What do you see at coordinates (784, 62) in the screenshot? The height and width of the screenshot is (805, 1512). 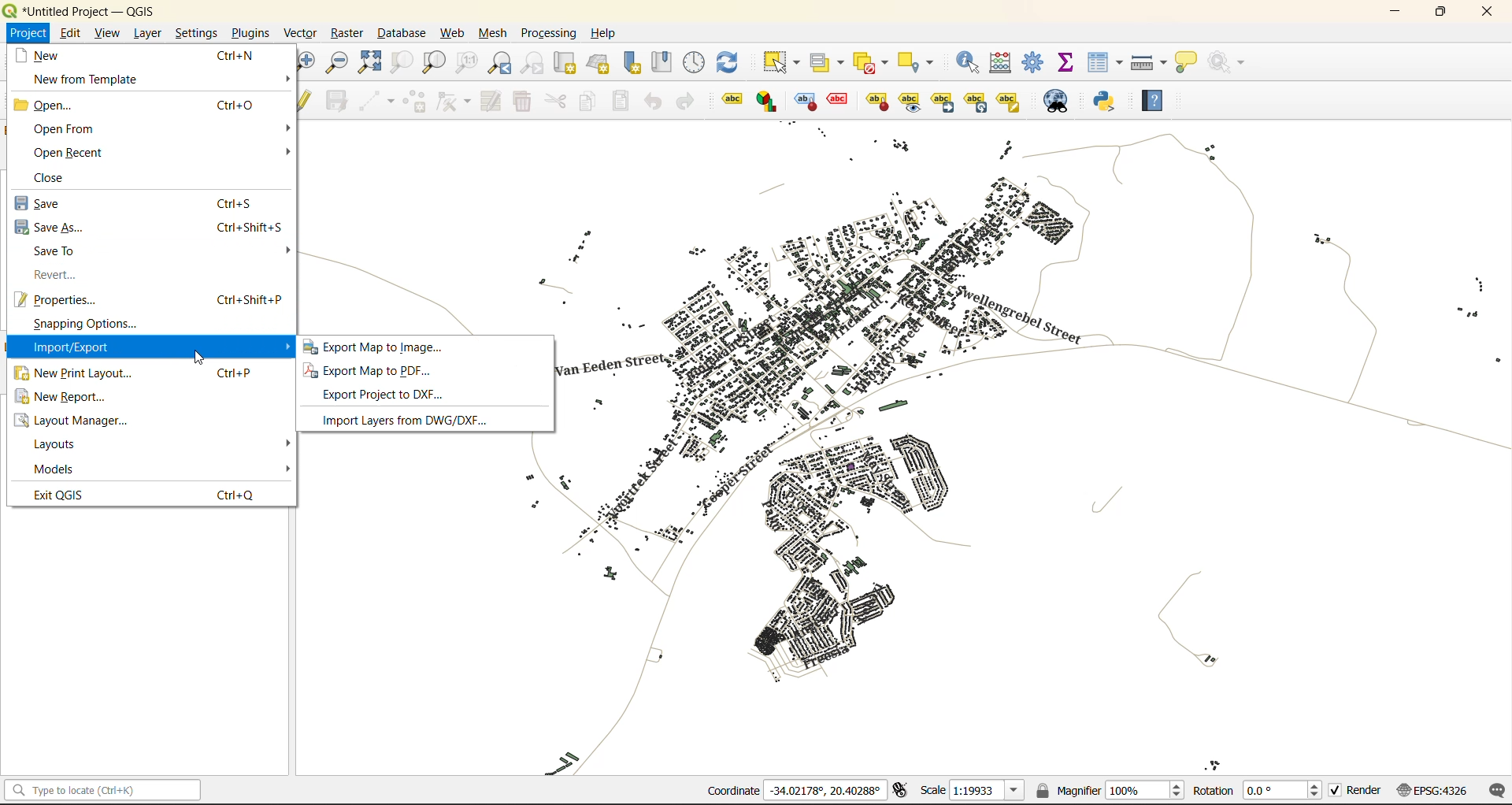 I see `select` at bounding box center [784, 62].